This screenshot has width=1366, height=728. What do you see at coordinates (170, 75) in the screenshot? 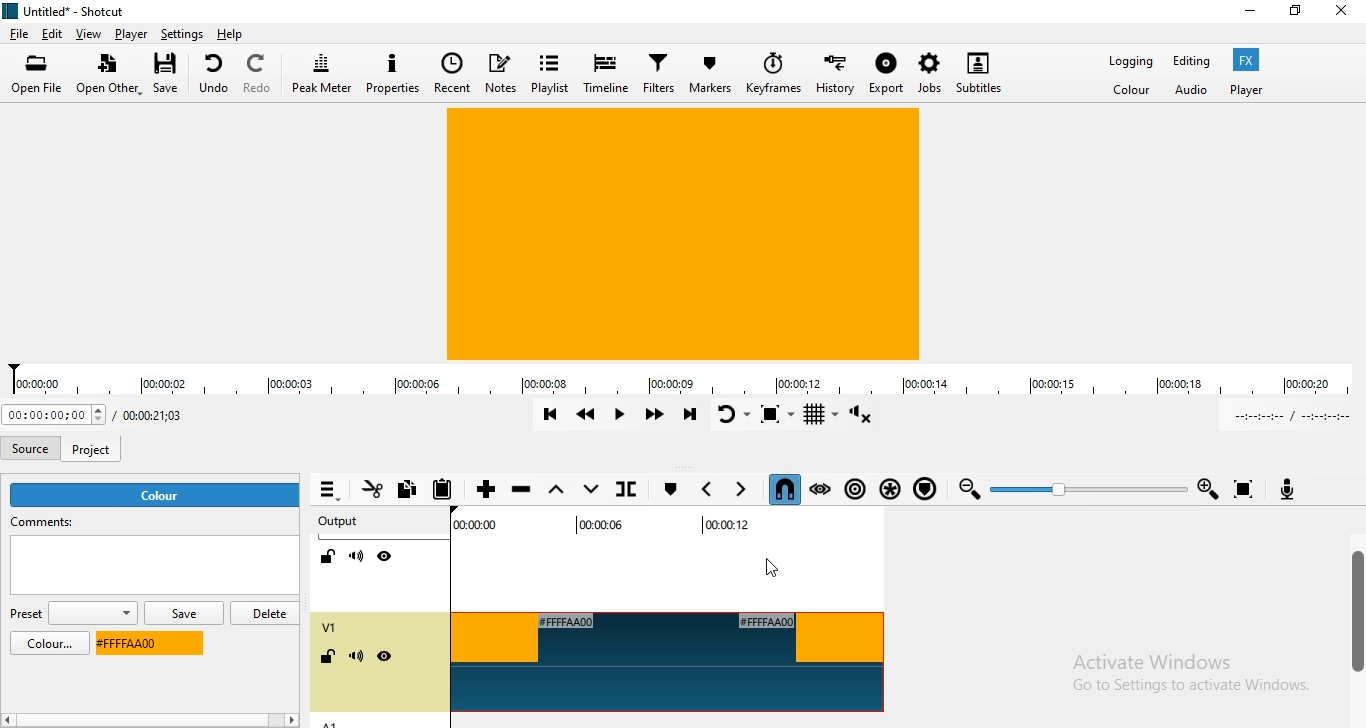
I see `Save` at bounding box center [170, 75].